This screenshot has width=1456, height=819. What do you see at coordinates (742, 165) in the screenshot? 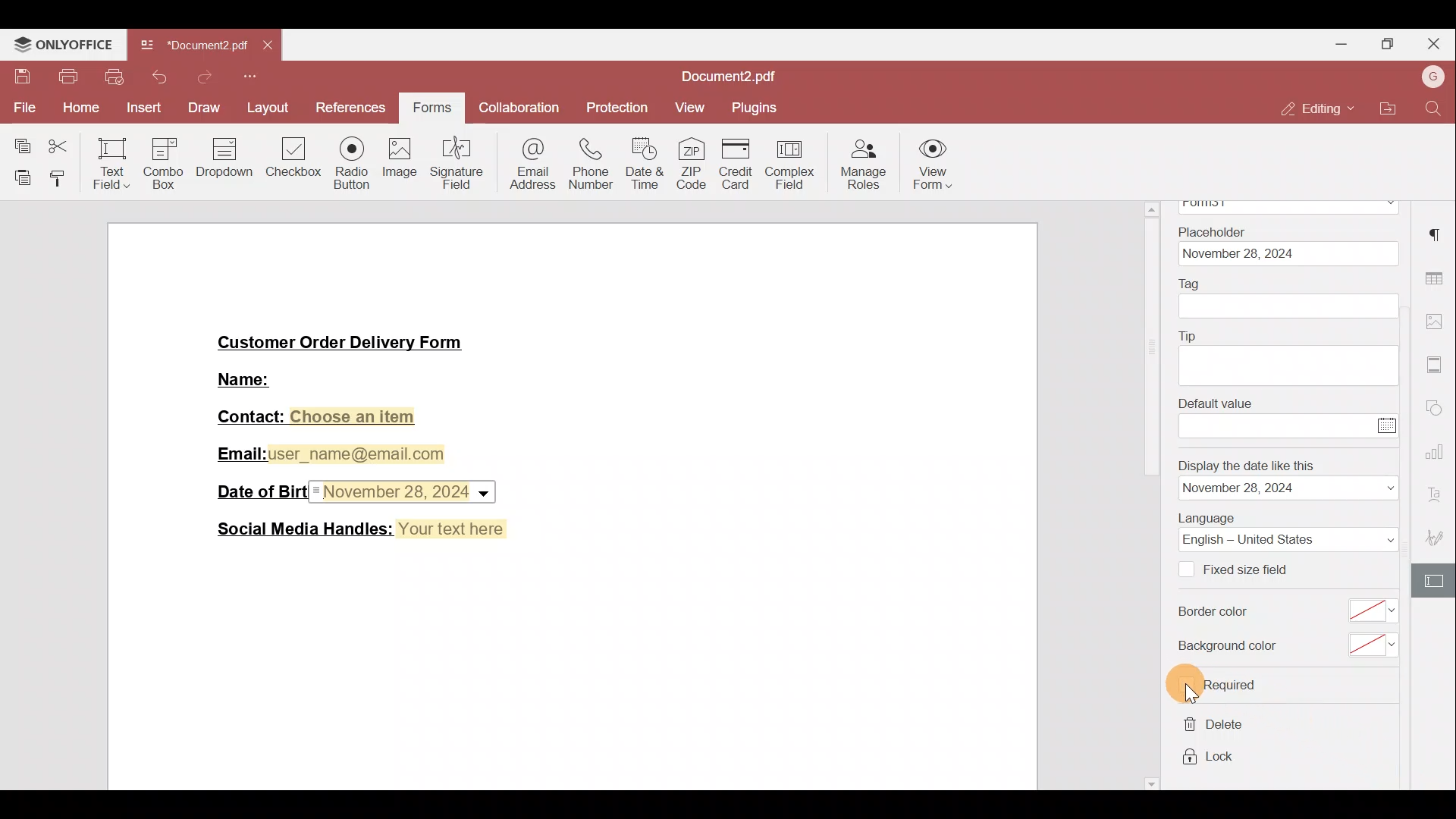
I see `Credit card` at bounding box center [742, 165].